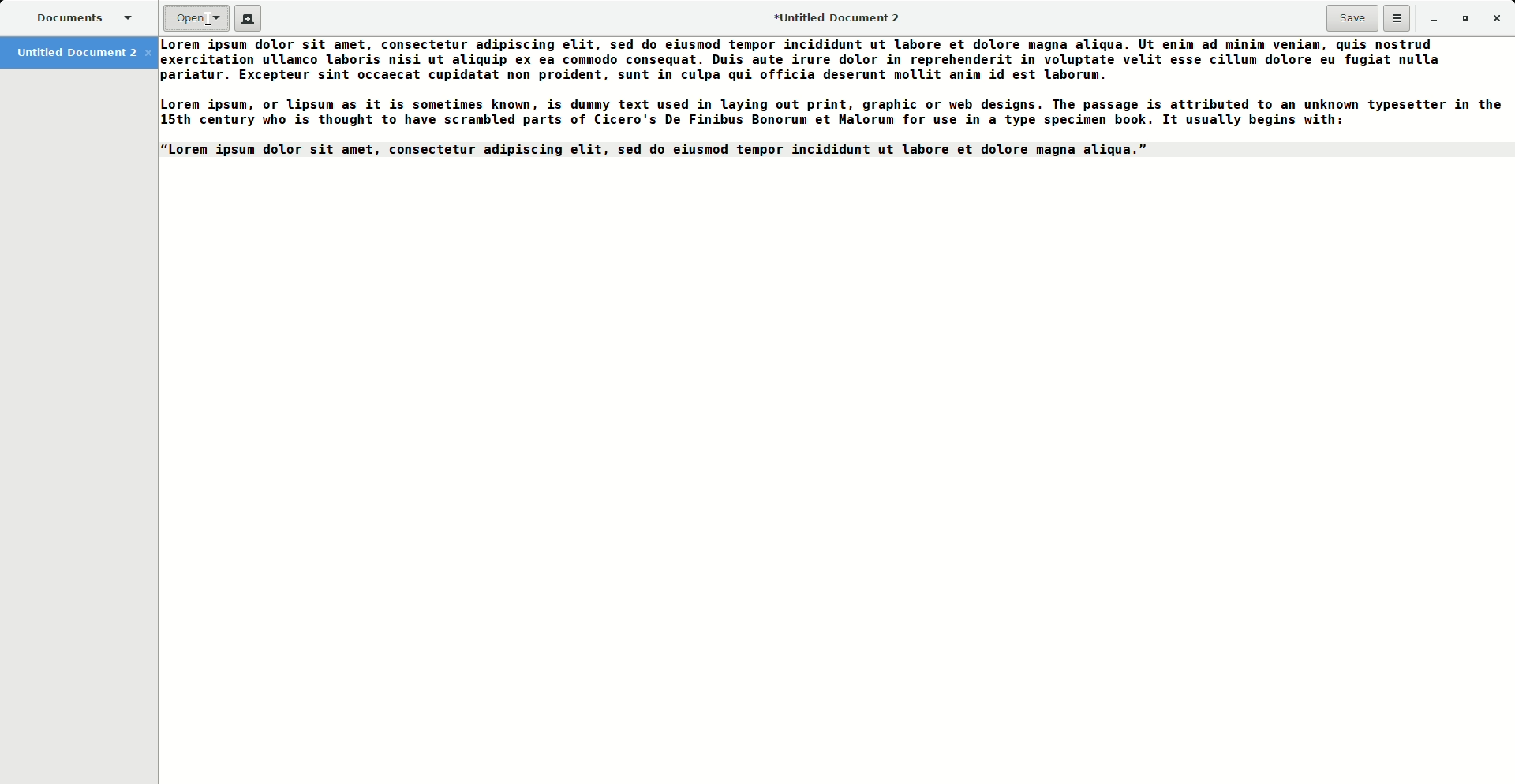 The width and height of the screenshot is (1515, 784). Describe the element at coordinates (247, 19) in the screenshot. I see `New` at that location.